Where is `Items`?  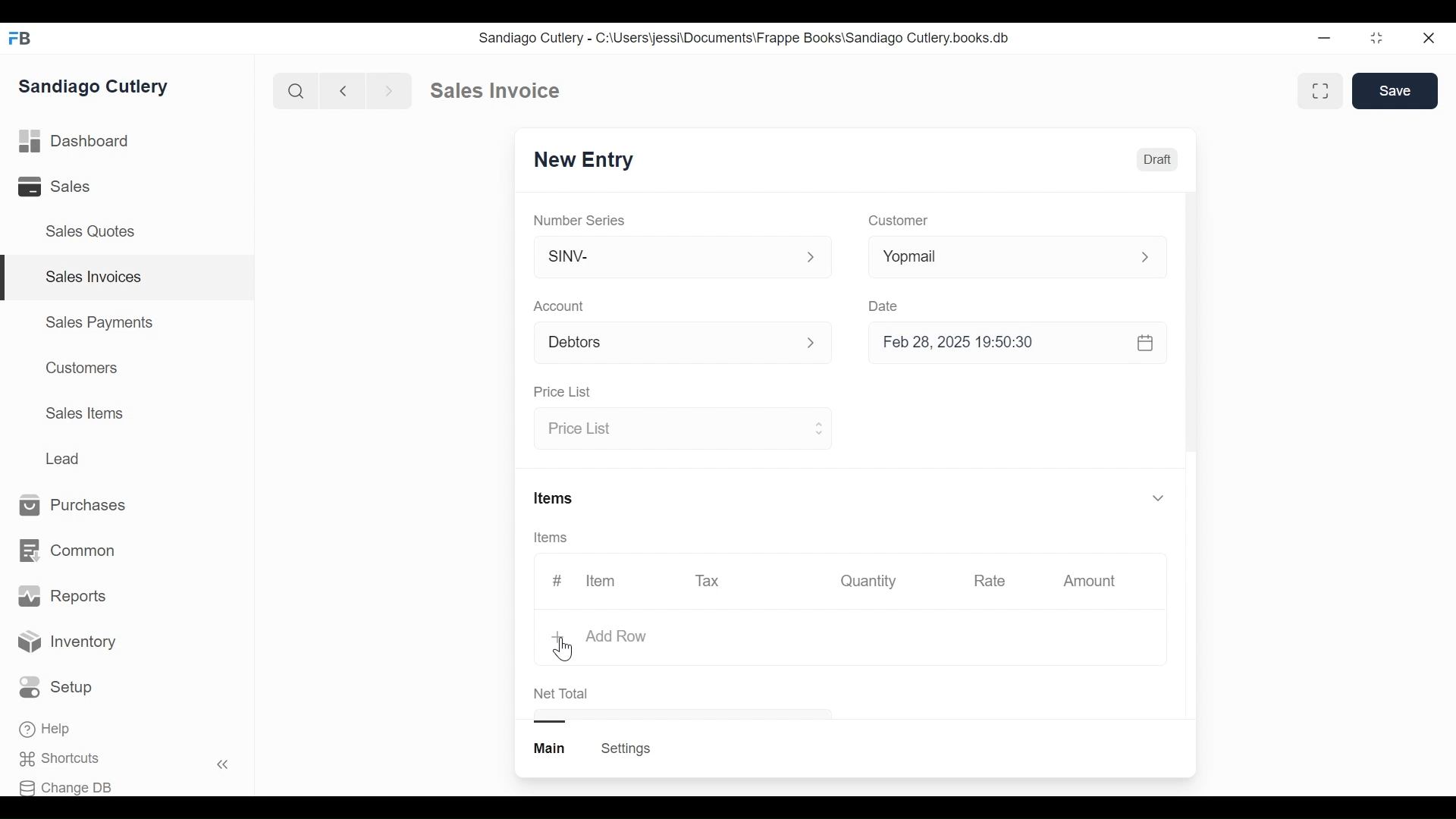
Items is located at coordinates (556, 497).